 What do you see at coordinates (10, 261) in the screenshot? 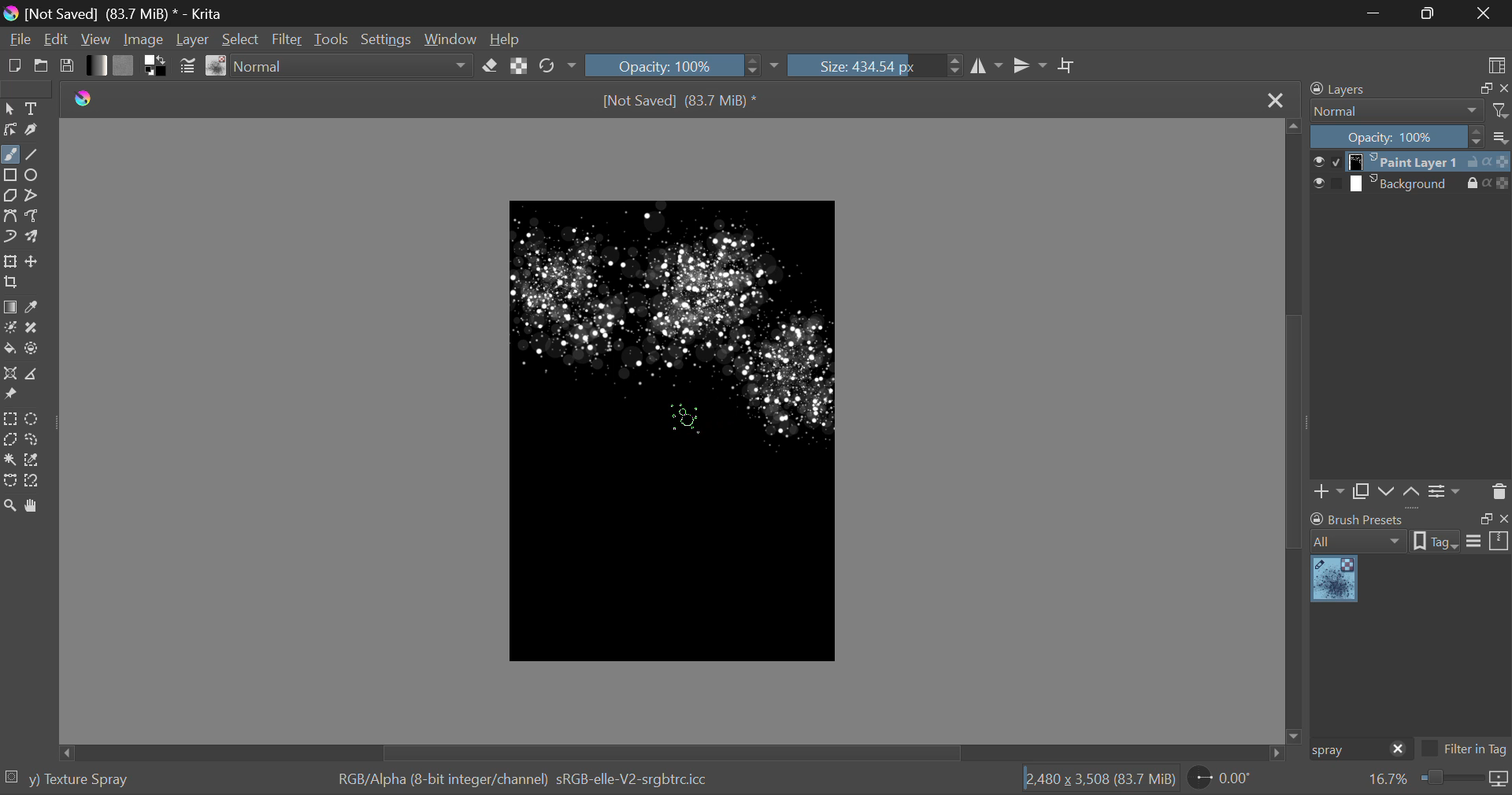
I see `Transform Layer` at bounding box center [10, 261].